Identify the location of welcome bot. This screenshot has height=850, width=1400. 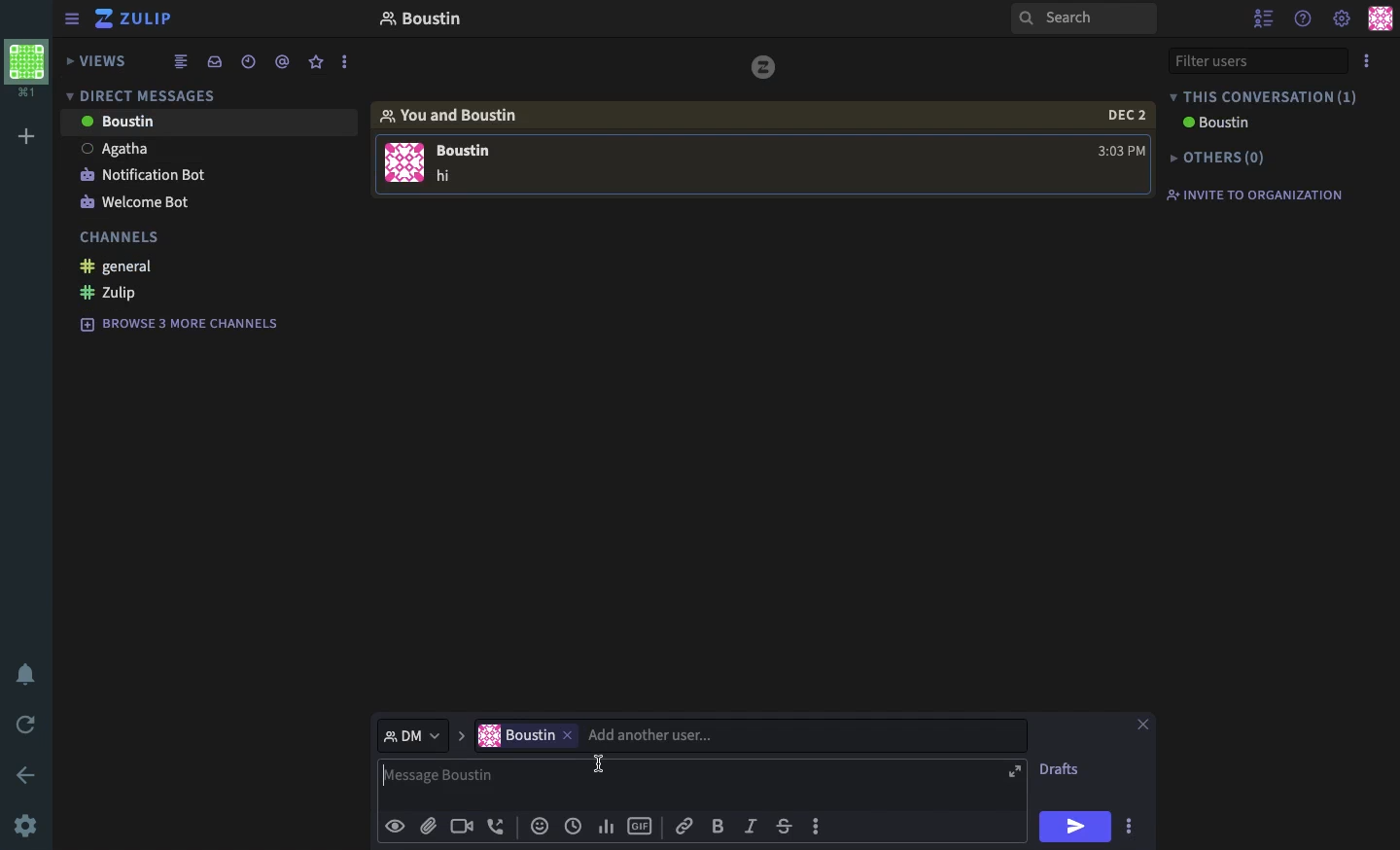
(134, 204).